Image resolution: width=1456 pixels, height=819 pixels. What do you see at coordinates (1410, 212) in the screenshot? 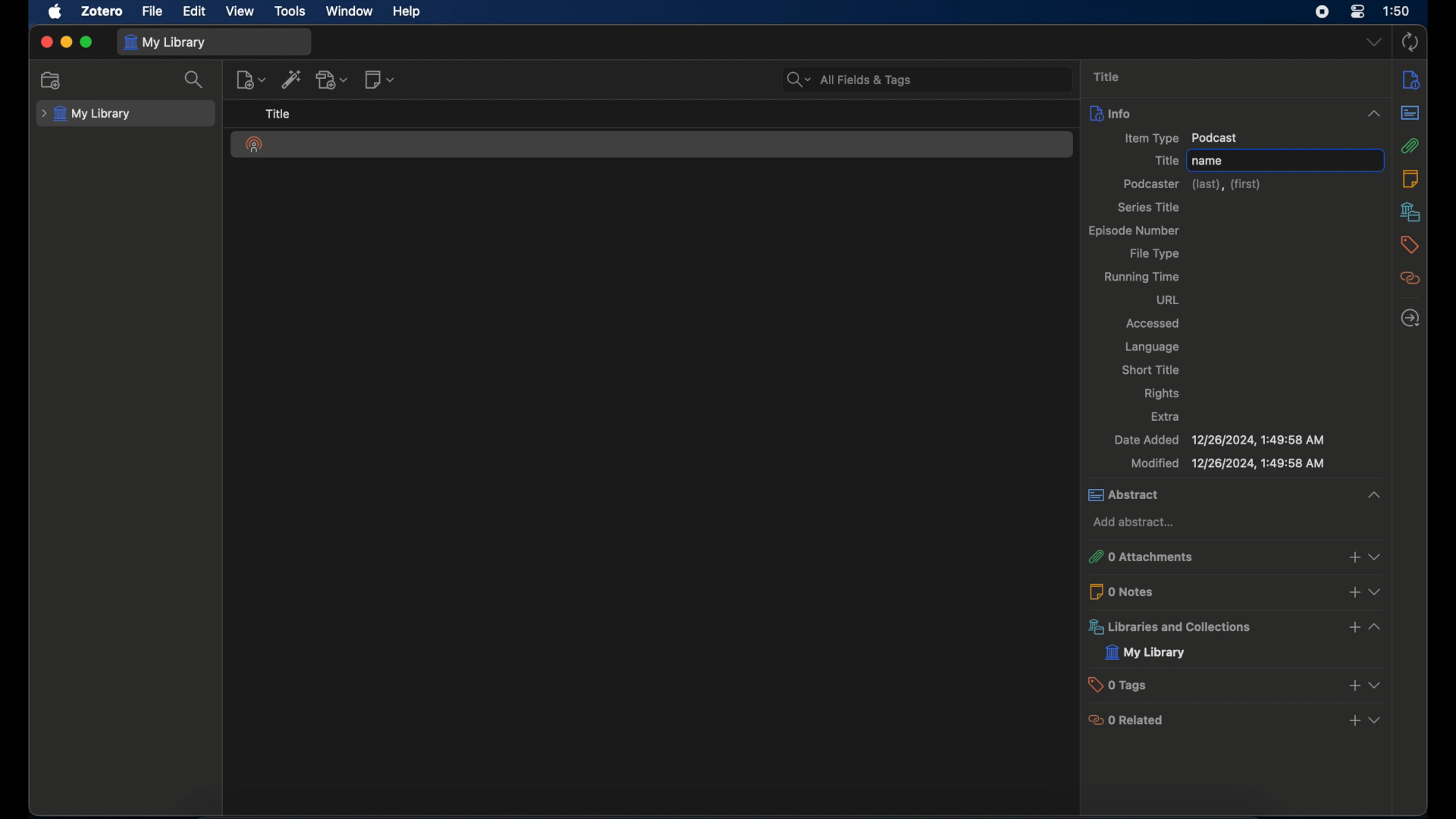
I see `libraries` at bounding box center [1410, 212].